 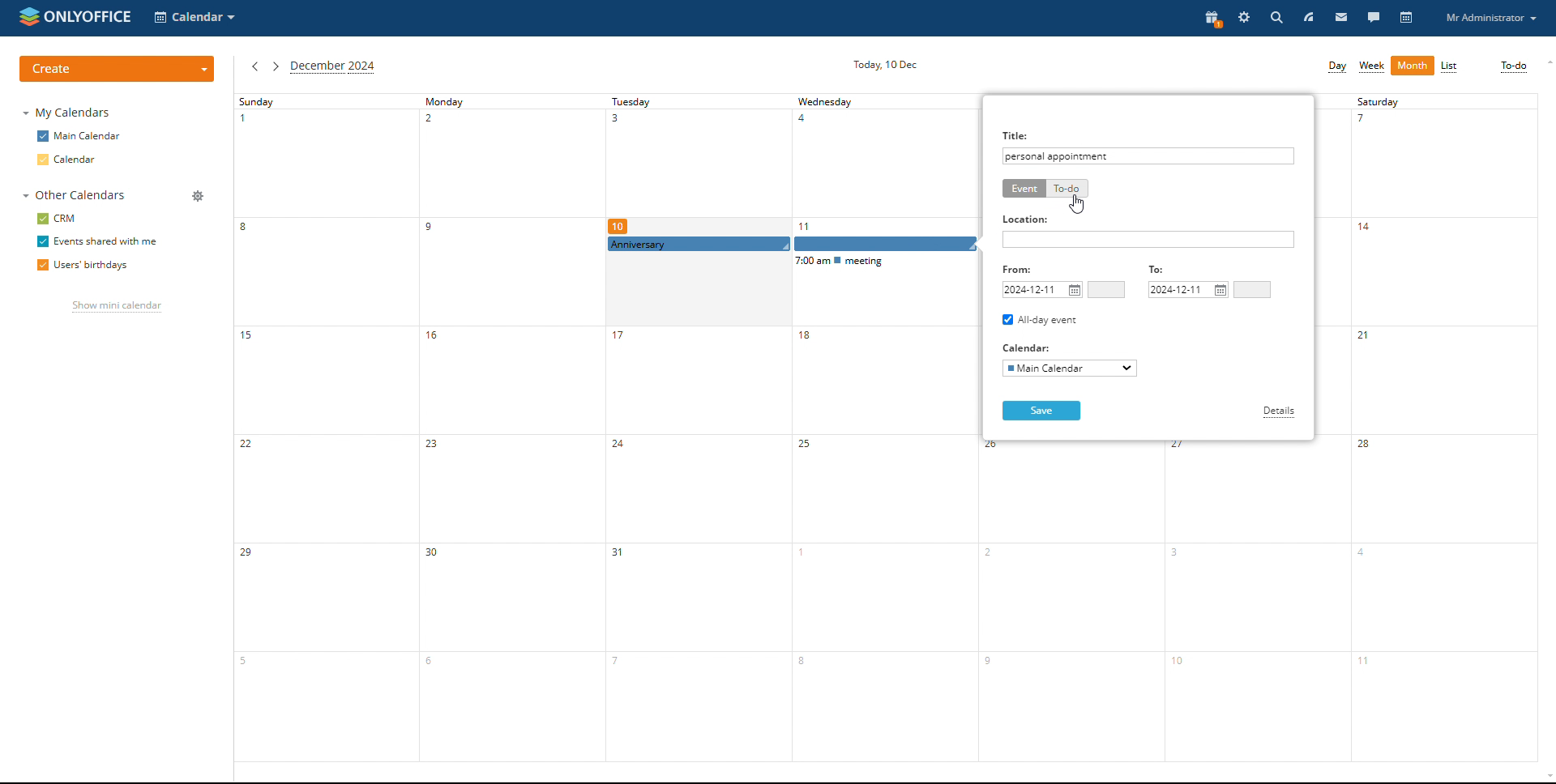 What do you see at coordinates (1373, 19) in the screenshot?
I see `talk` at bounding box center [1373, 19].